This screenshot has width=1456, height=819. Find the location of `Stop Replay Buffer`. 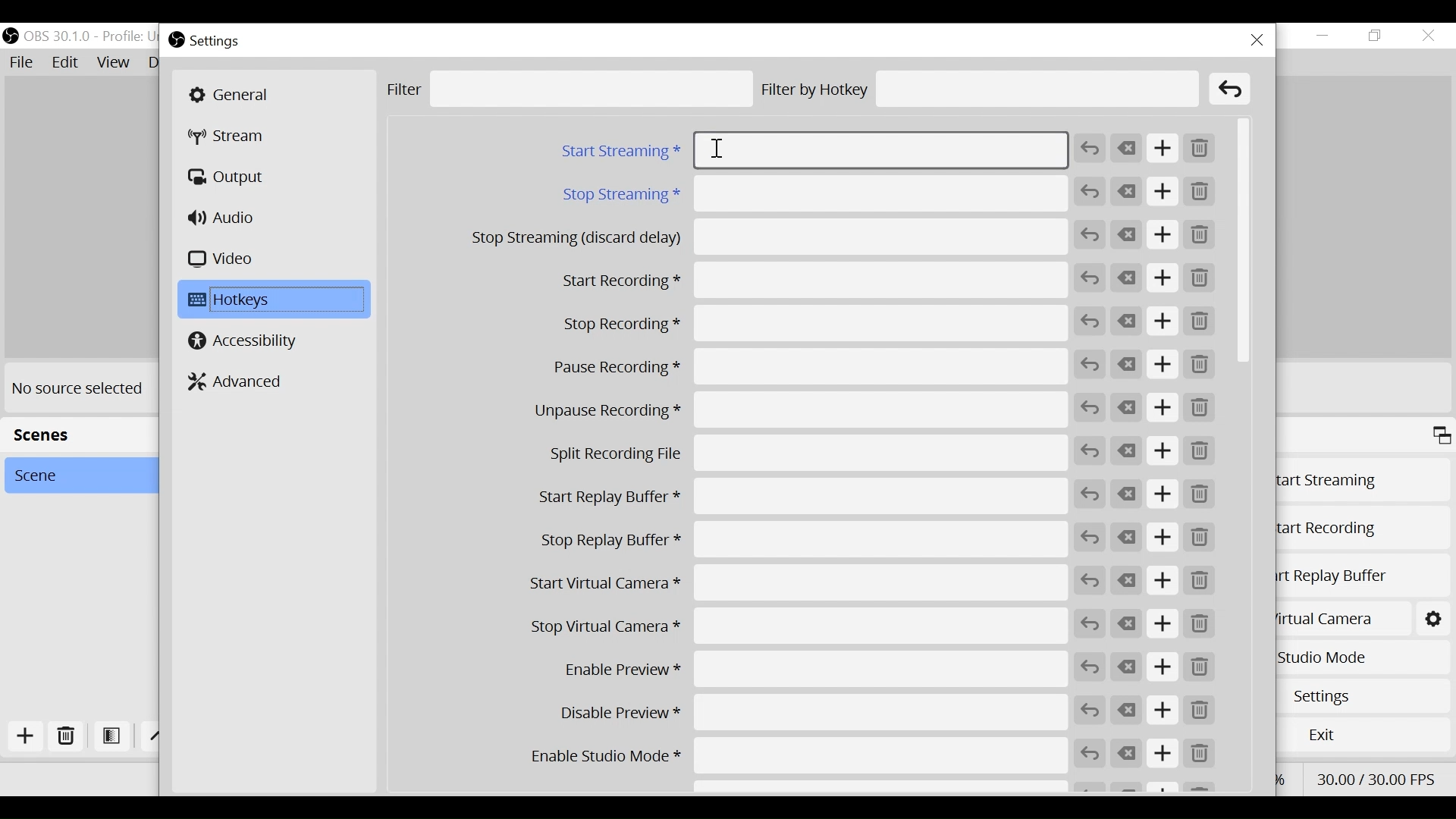

Stop Replay Buffer is located at coordinates (799, 540).